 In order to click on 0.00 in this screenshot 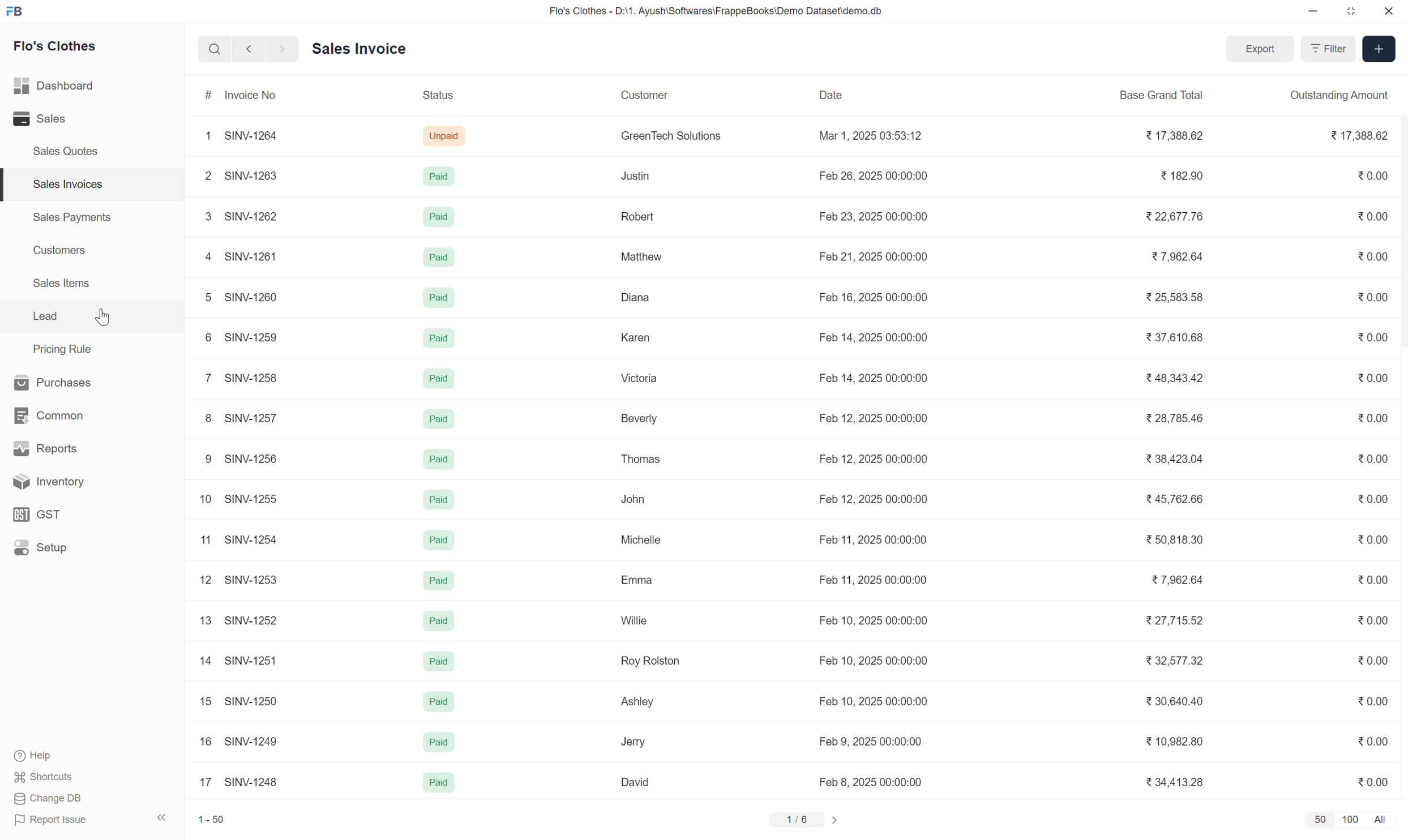, I will do `click(1374, 618)`.